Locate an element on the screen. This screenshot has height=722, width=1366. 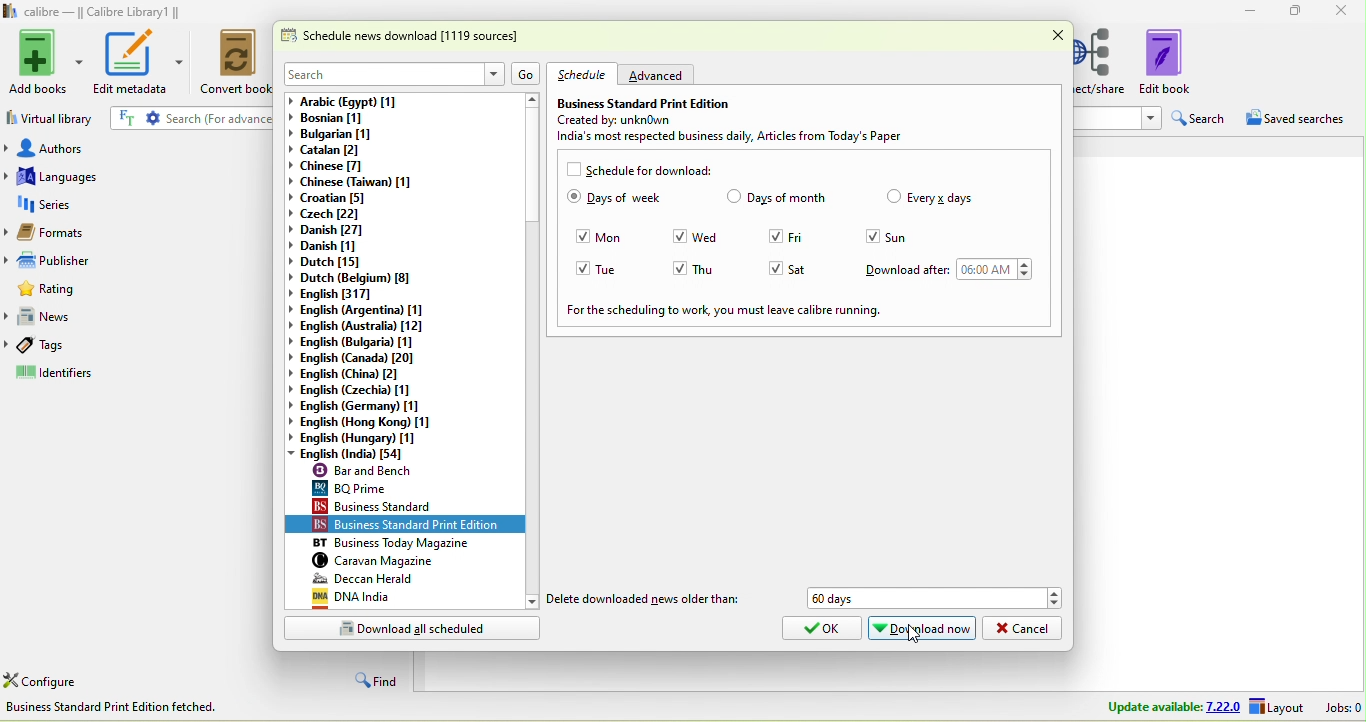
english (china)[2] is located at coordinates (363, 375).